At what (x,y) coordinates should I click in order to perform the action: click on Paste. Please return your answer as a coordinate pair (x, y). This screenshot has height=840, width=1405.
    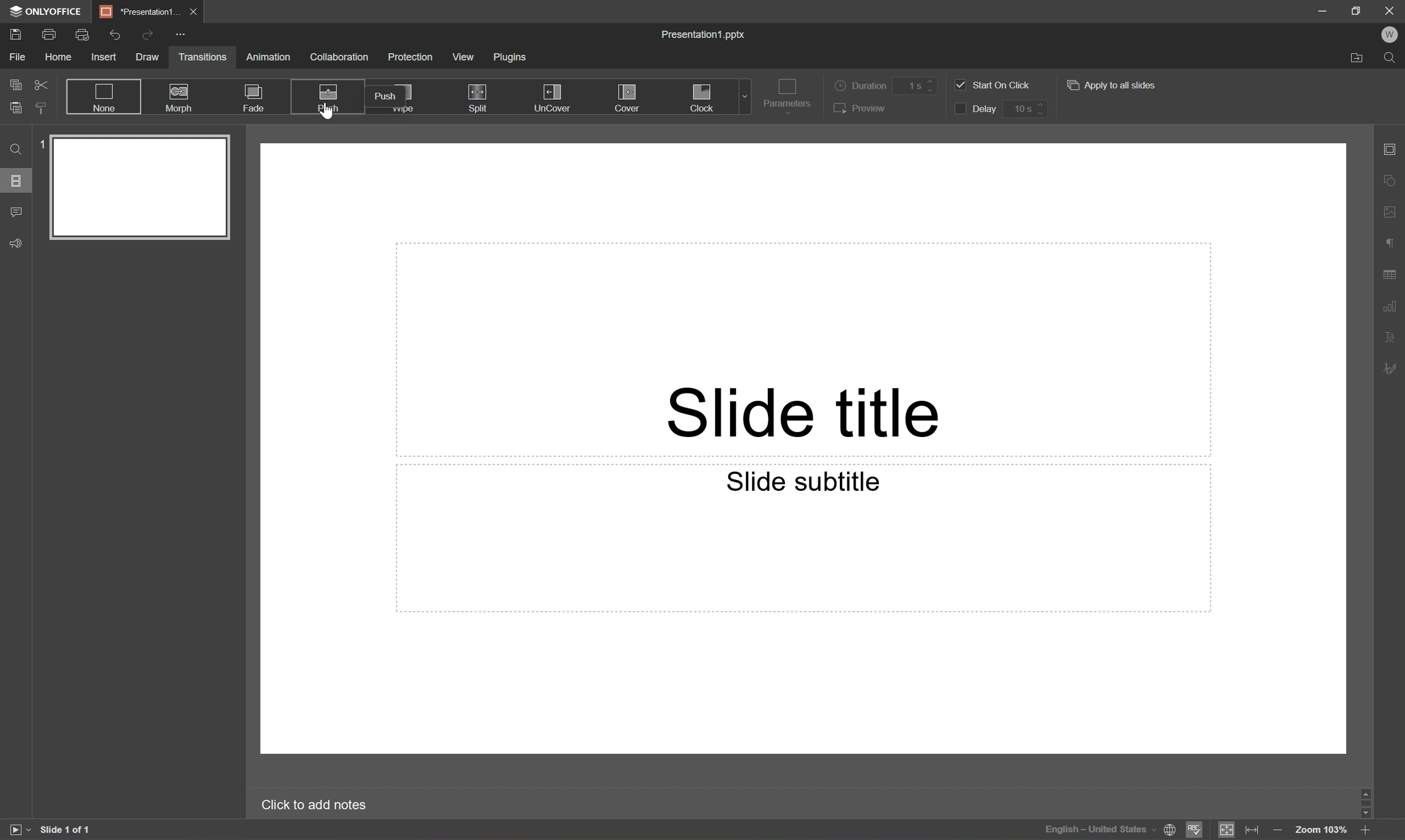
    Looking at the image, I should click on (17, 108).